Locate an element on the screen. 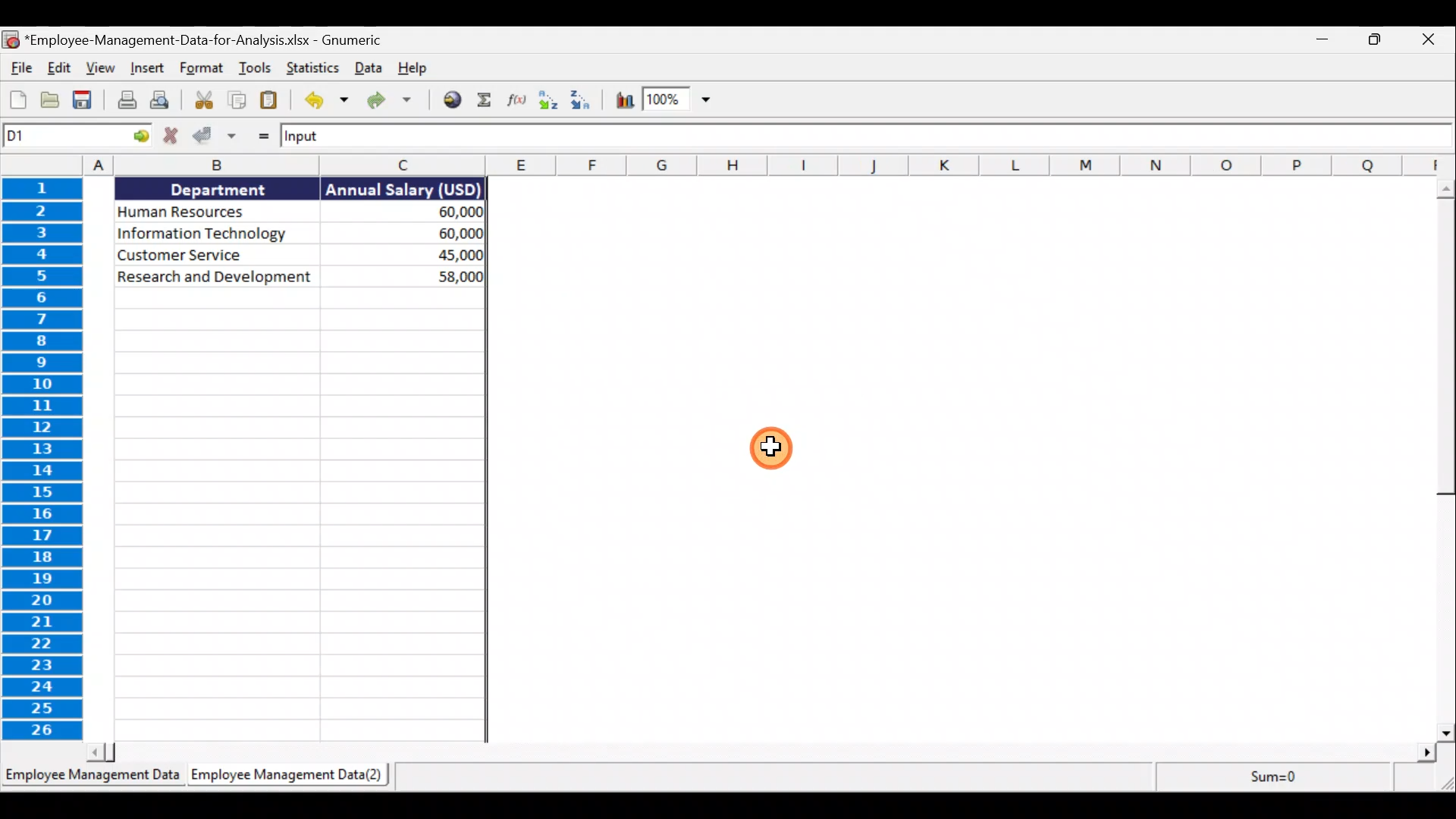 The width and height of the screenshot is (1456, 819). Format is located at coordinates (202, 66).